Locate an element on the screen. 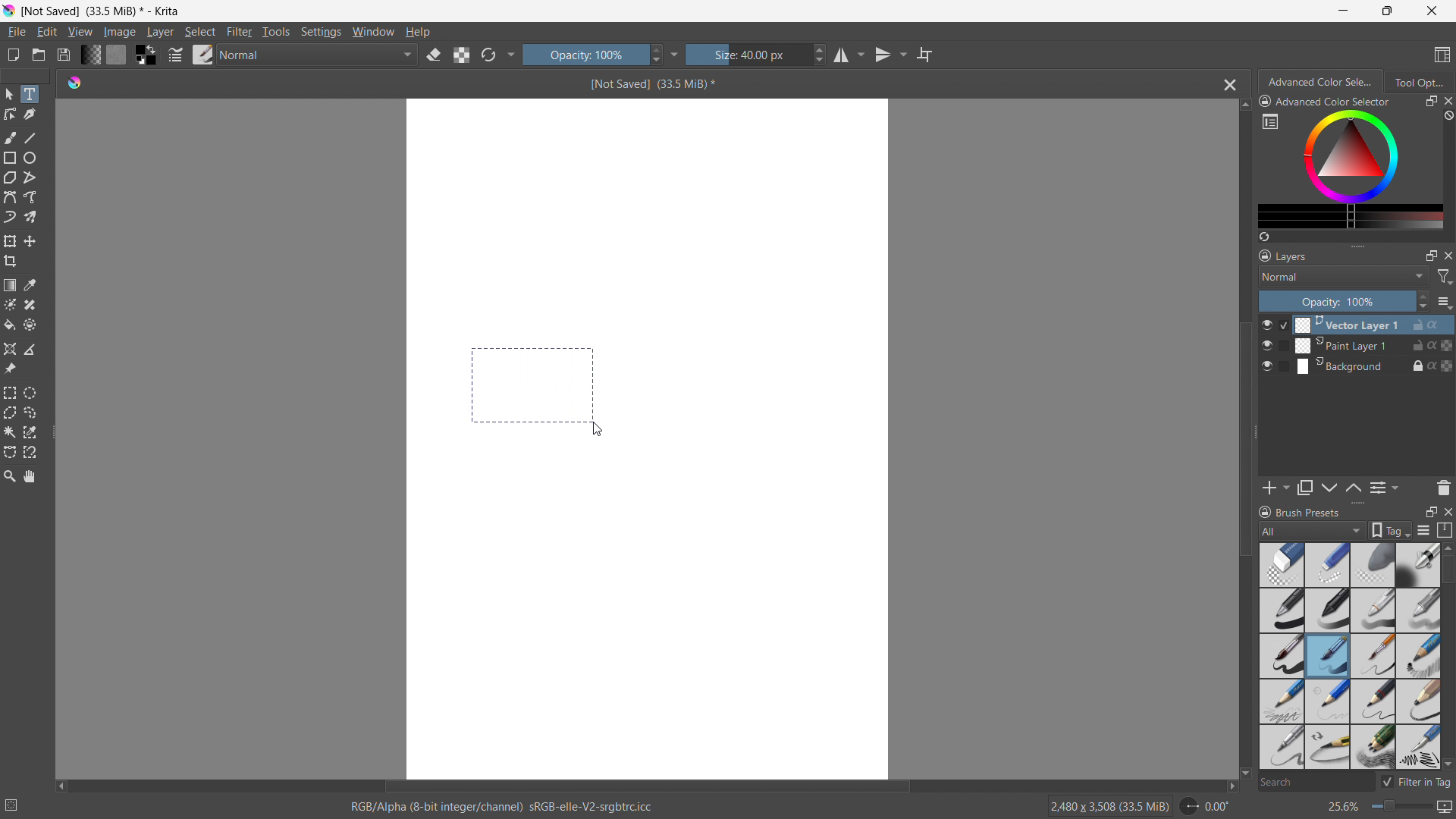  advanced color selection is located at coordinates (1322, 82).